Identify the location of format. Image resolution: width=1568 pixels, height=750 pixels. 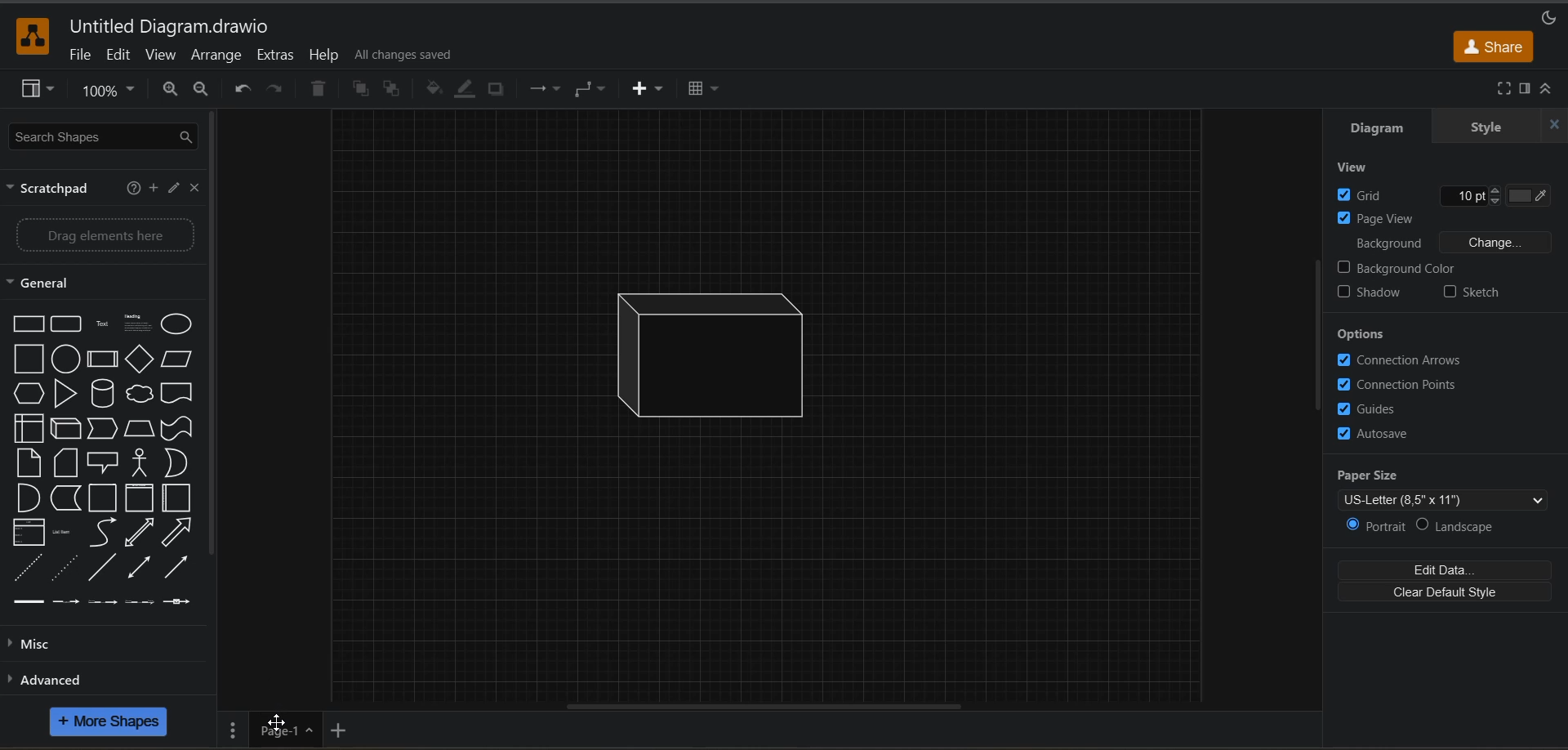
(1523, 88).